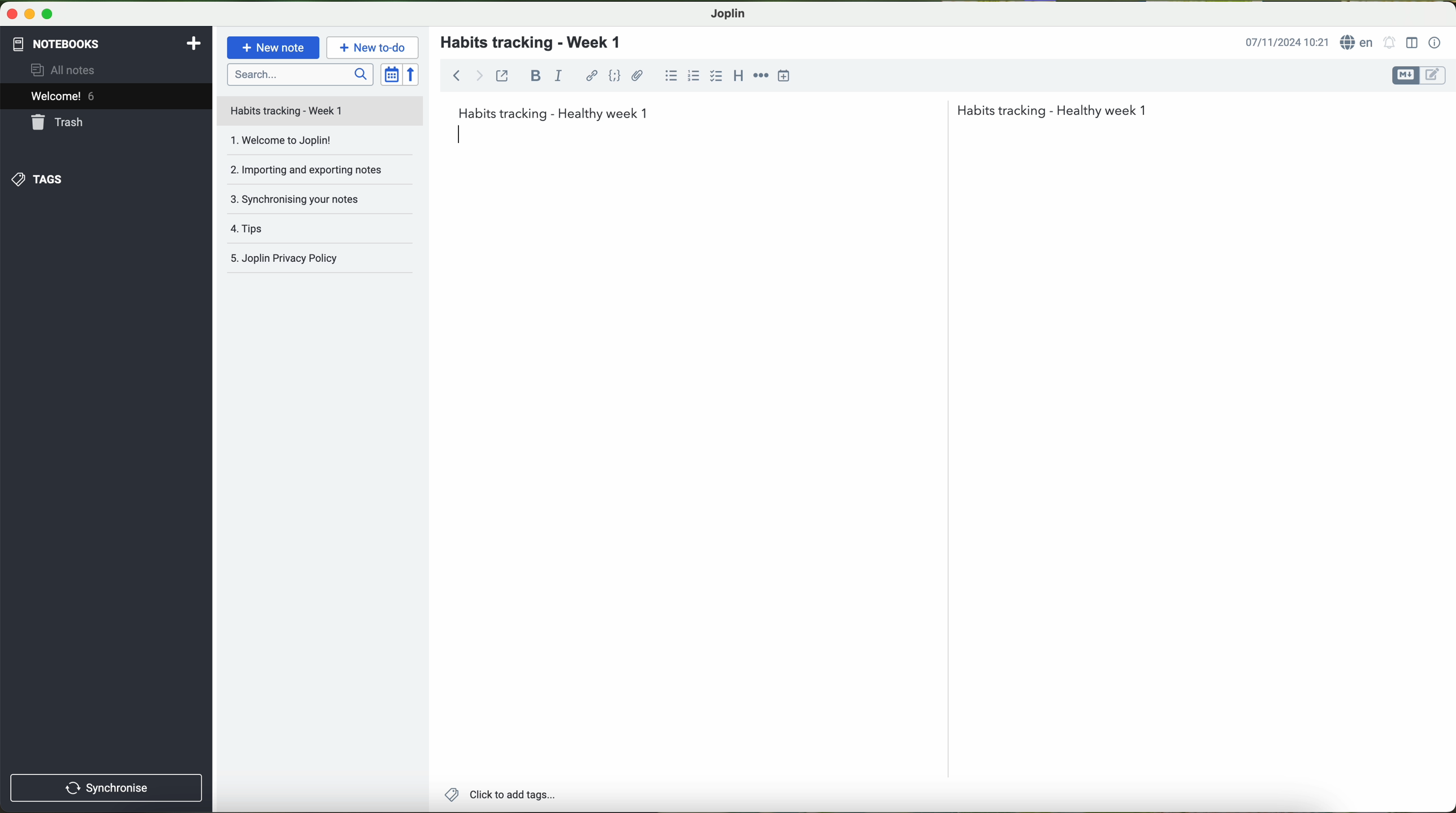 This screenshot has height=813, width=1456. I want to click on toggle sort order field, so click(391, 74).